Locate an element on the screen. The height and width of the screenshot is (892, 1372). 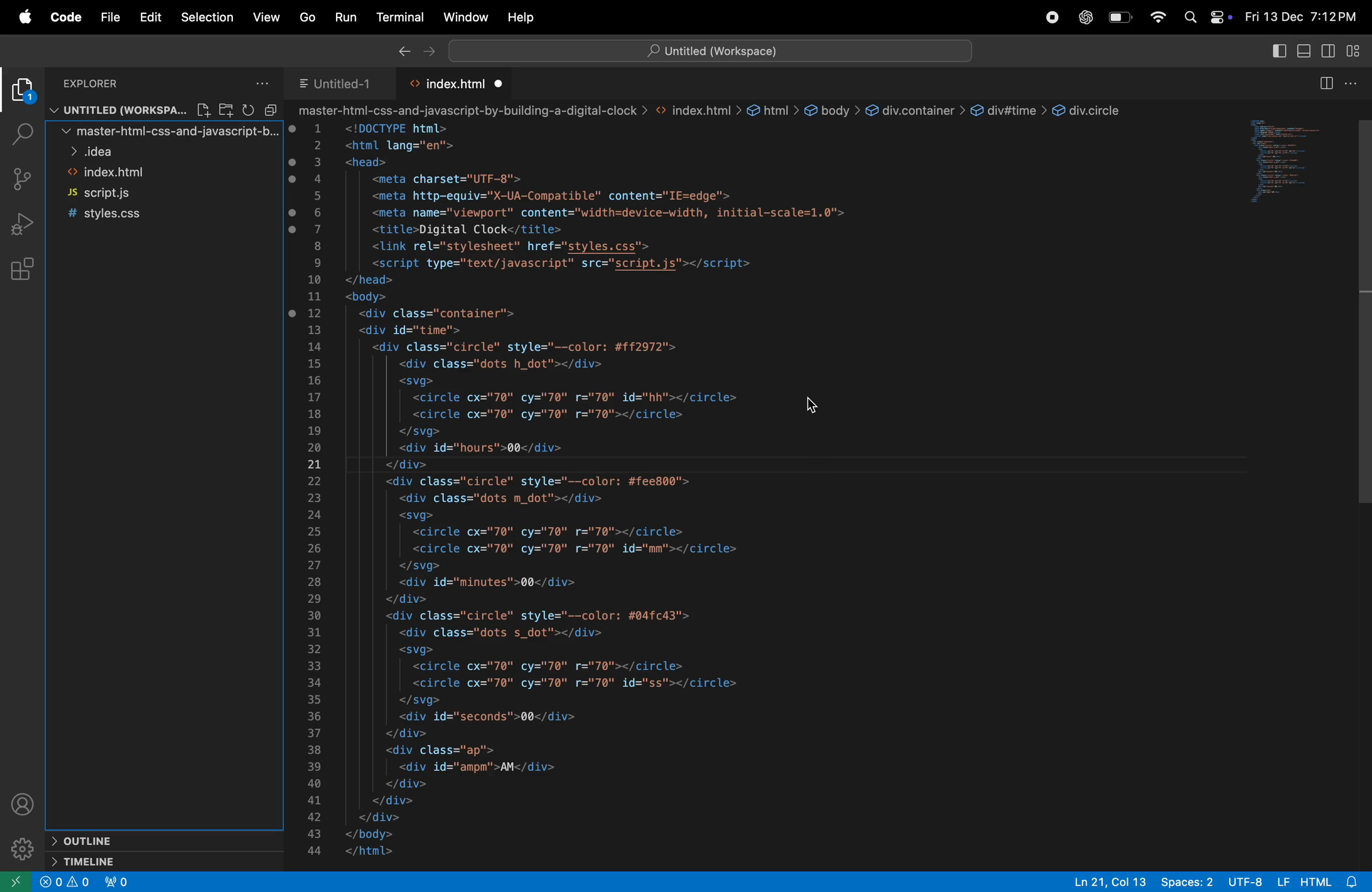
no ports forwarded is located at coordinates (119, 882).